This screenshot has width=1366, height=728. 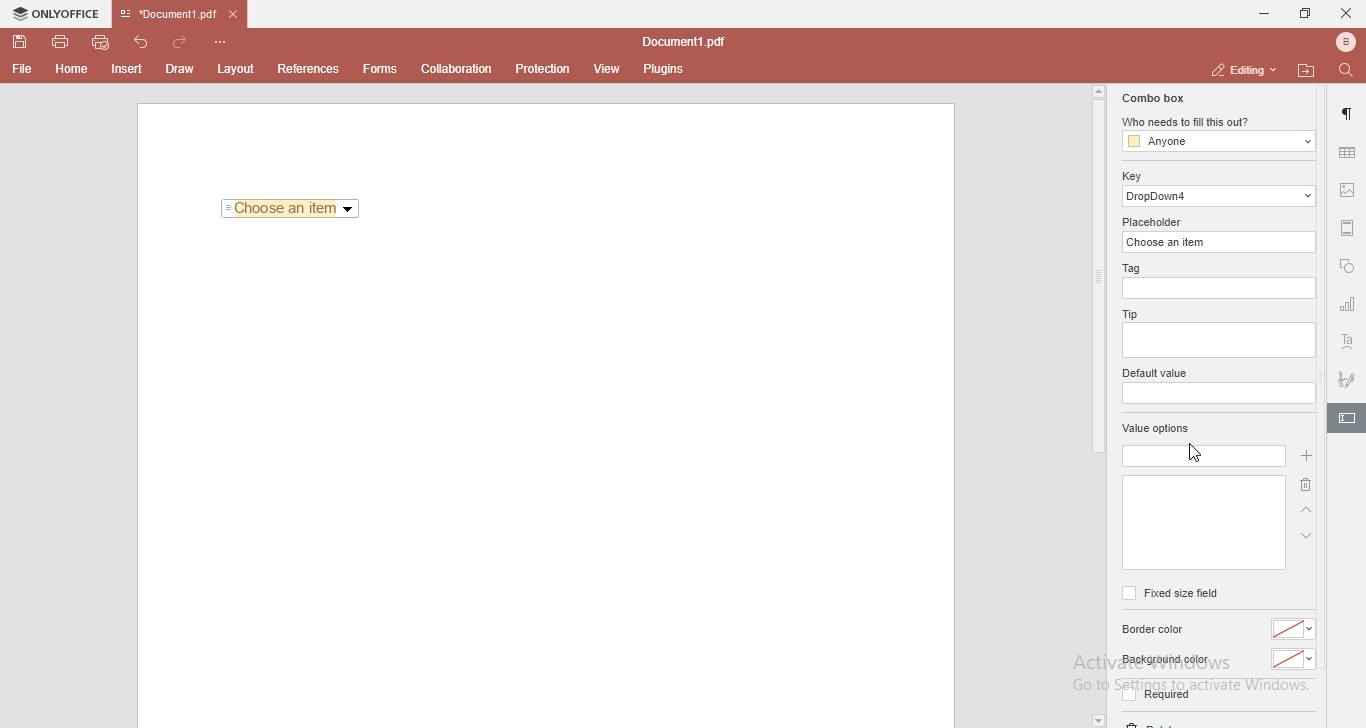 What do you see at coordinates (184, 38) in the screenshot?
I see `redo` at bounding box center [184, 38].